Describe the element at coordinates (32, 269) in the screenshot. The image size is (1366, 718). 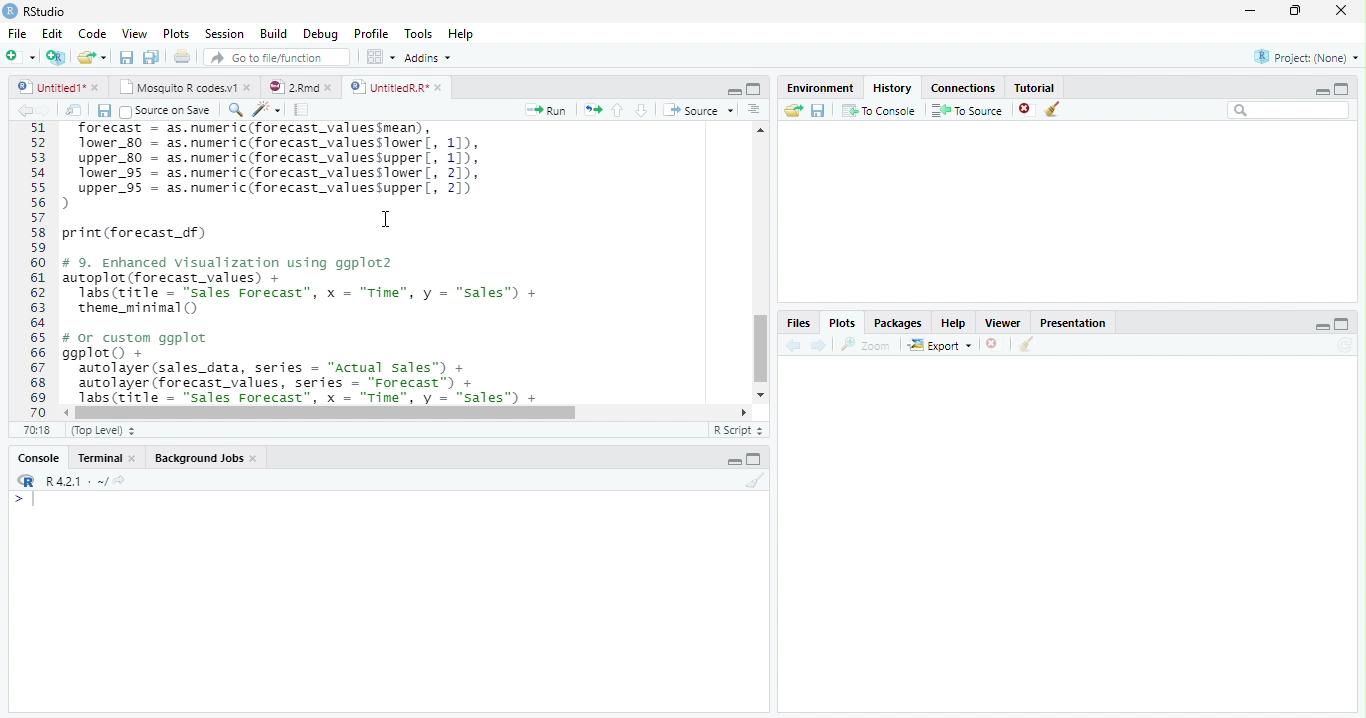
I see `Row number` at that location.